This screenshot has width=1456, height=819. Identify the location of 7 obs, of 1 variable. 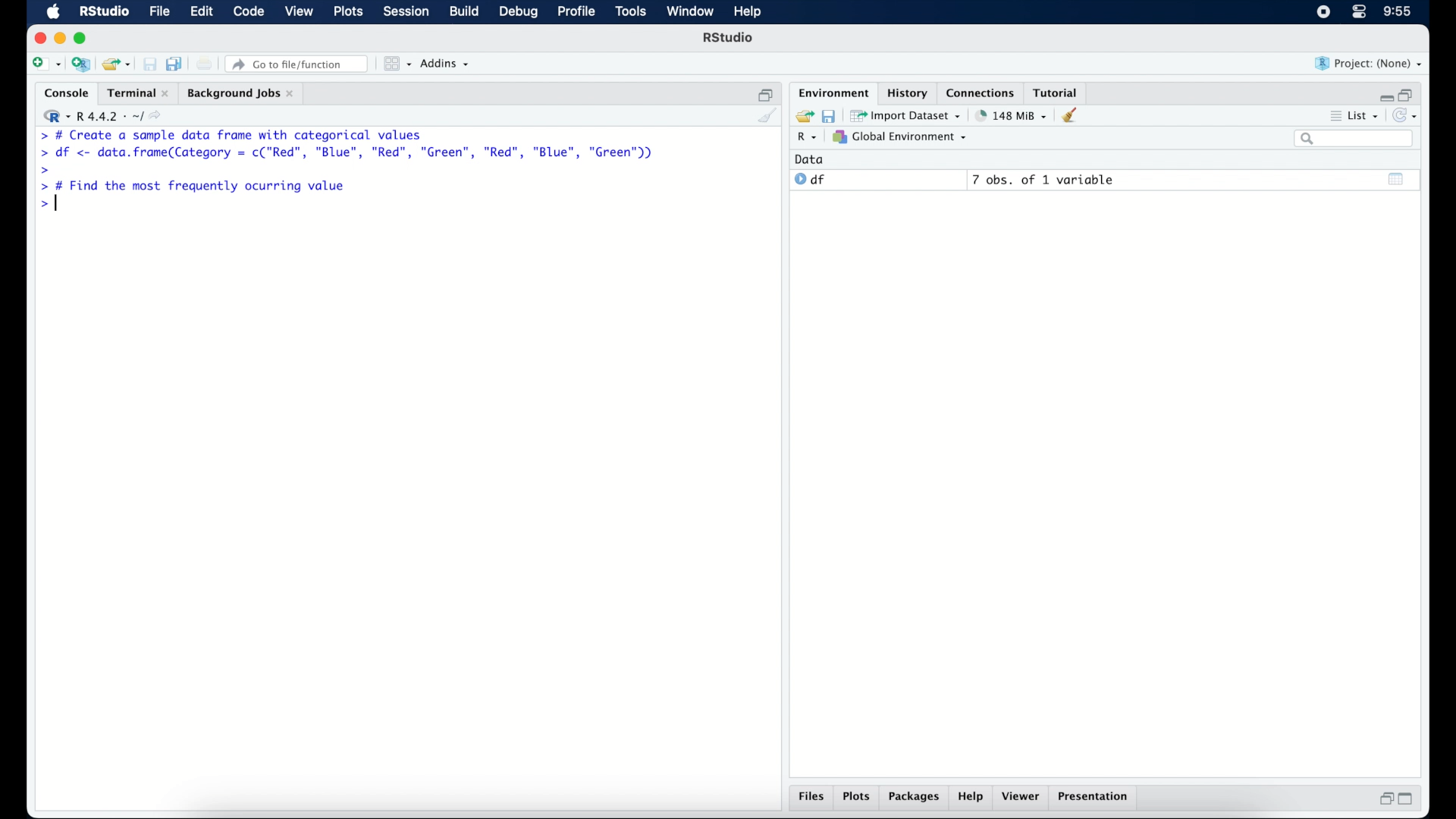
(1043, 180).